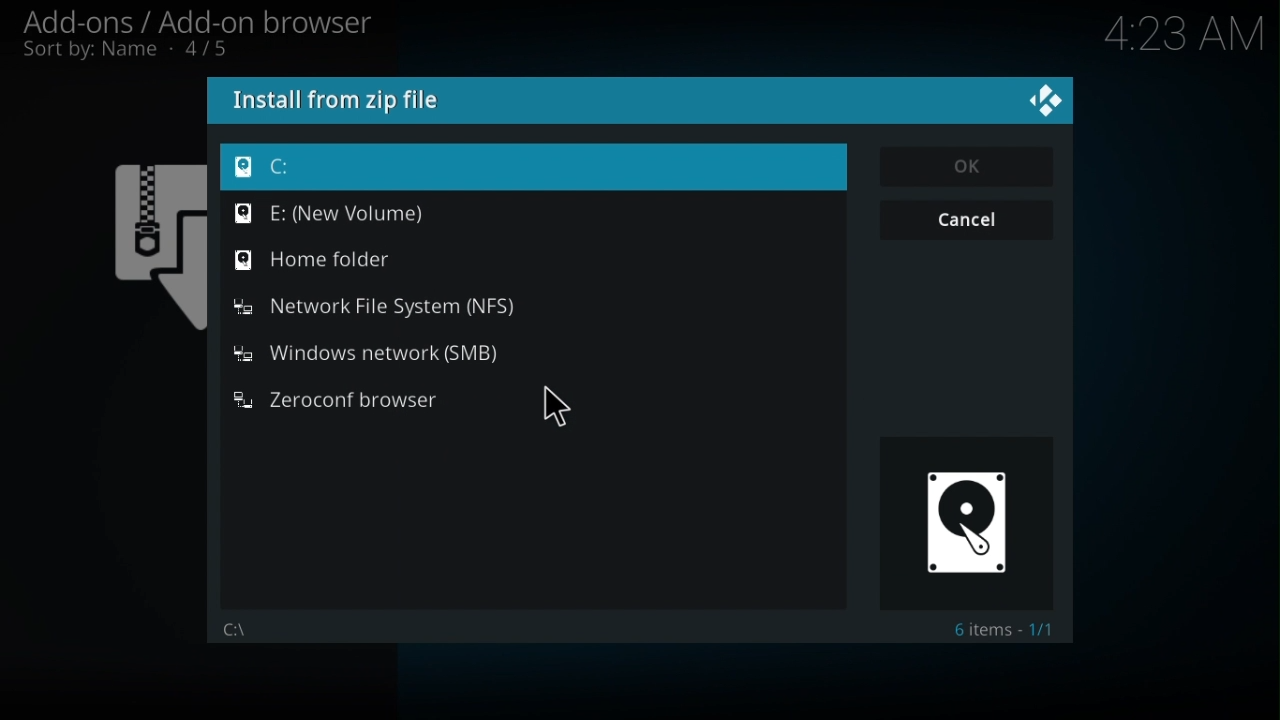  What do you see at coordinates (967, 221) in the screenshot?
I see `Cancel` at bounding box center [967, 221].